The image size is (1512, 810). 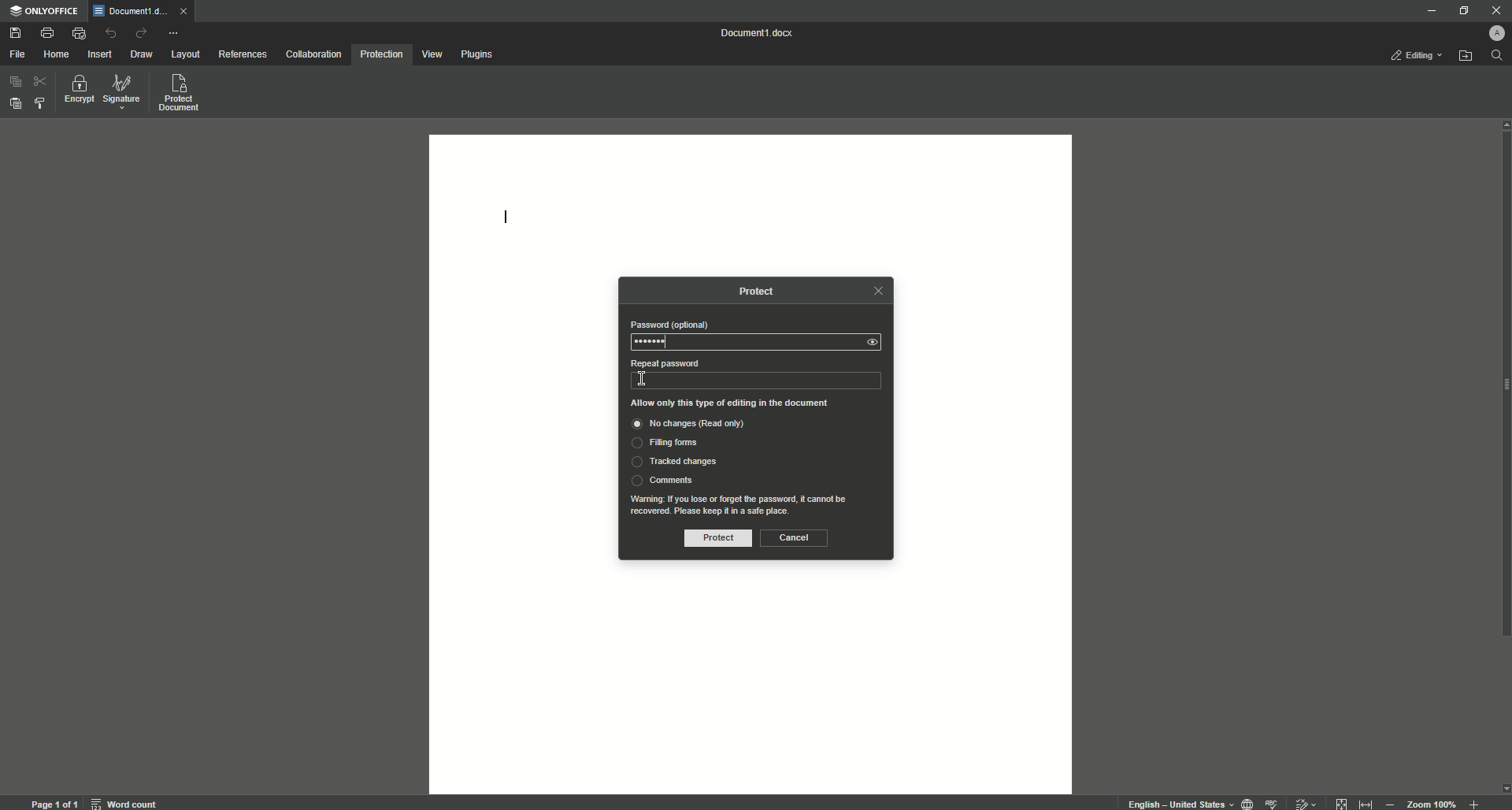 What do you see at coordinates (876, 342) in the screenshot?
I see `seen` at bounding box center [876, 342].